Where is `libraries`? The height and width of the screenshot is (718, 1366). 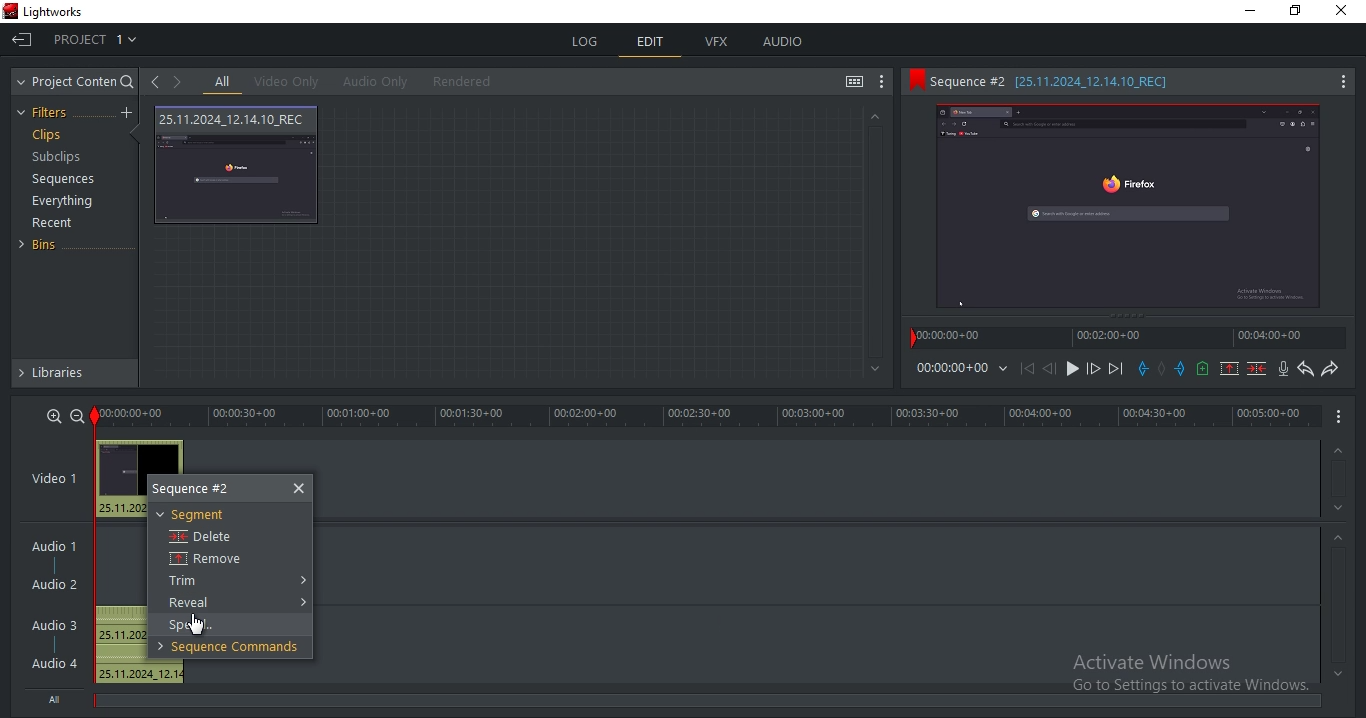 libraries is located at coordinates (78, 373).